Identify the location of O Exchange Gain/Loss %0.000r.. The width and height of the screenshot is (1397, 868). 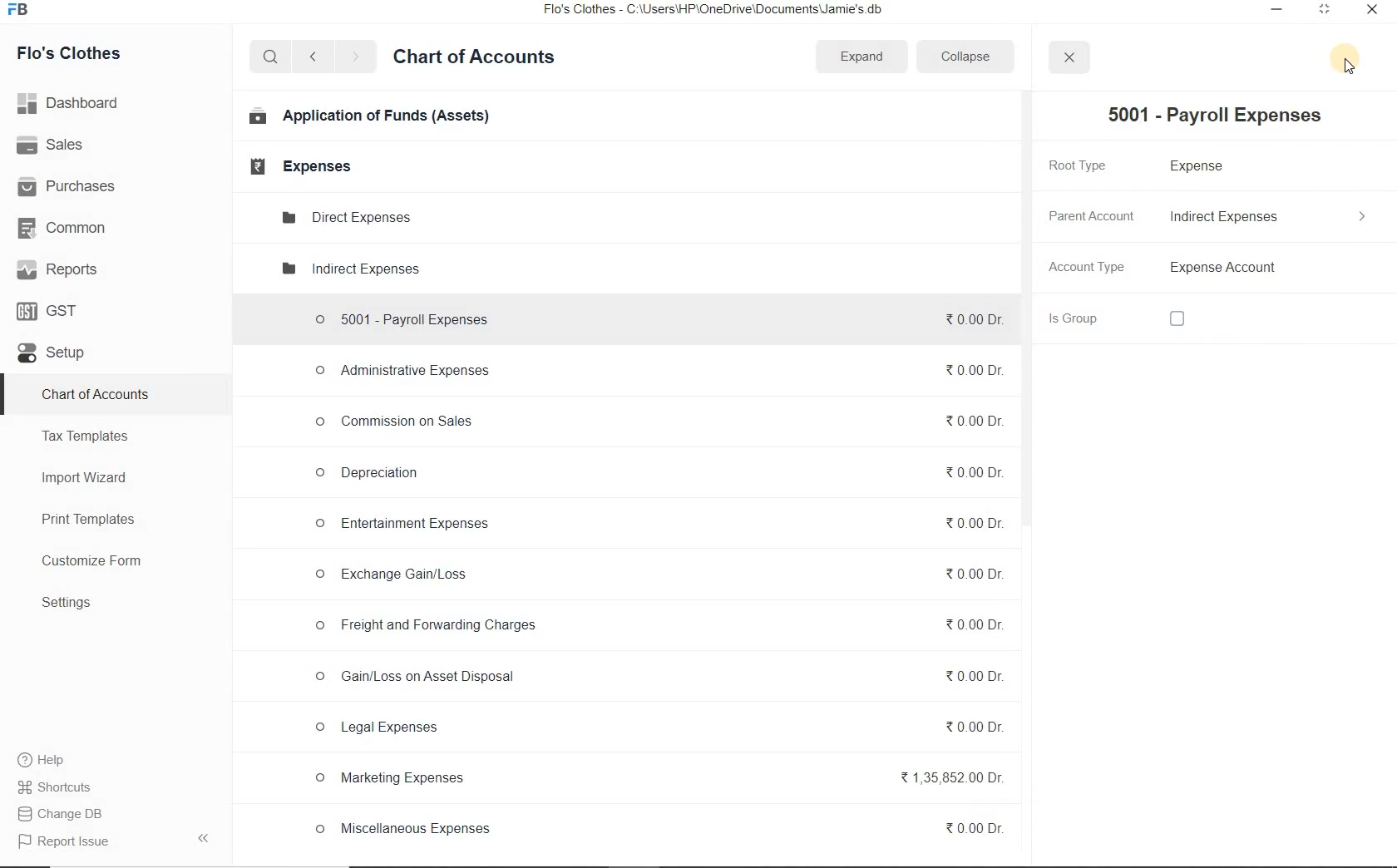
(654, 575).